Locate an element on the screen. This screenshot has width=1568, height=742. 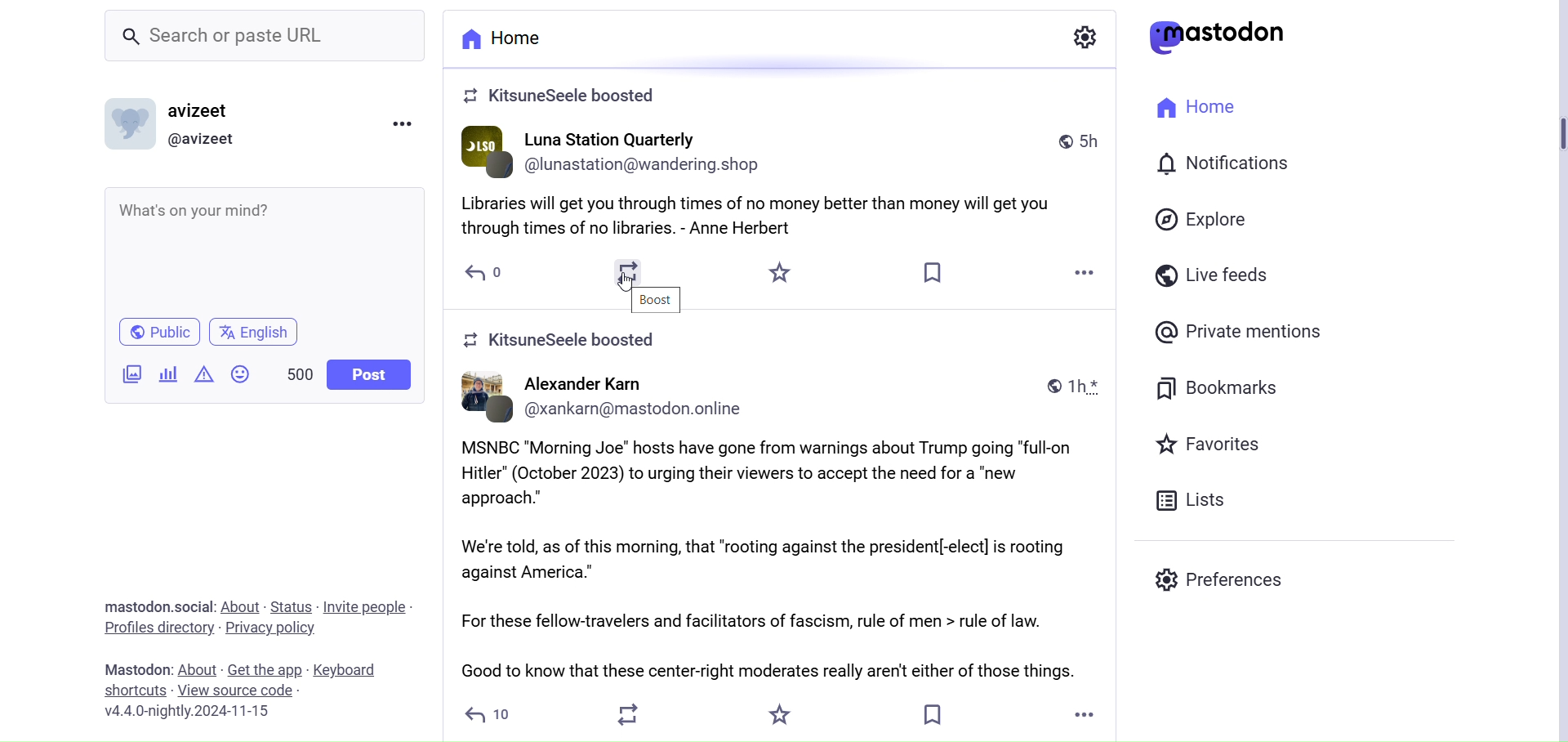
Star is located at coordinates (777, 275).